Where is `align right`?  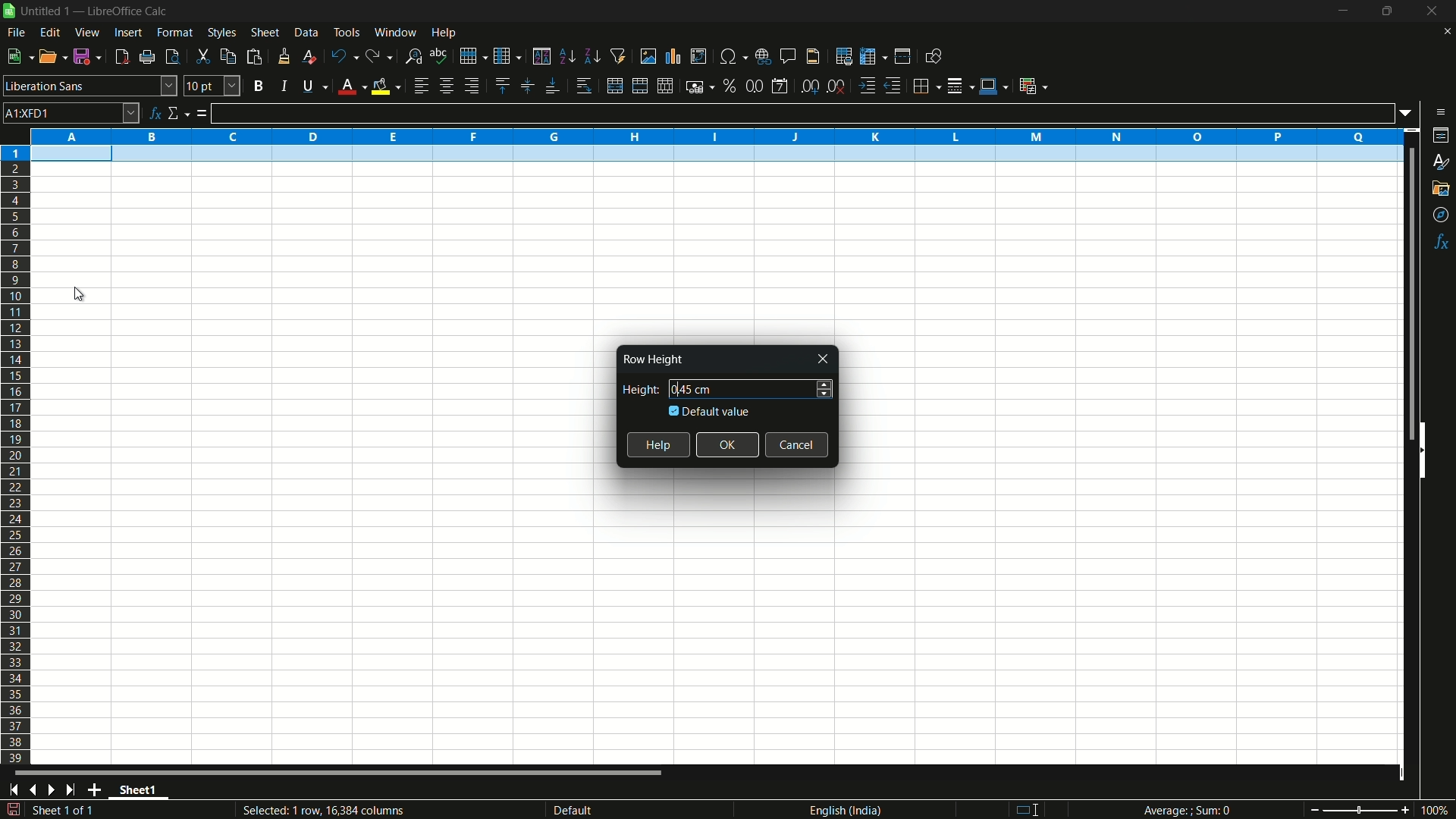 align right is located at coordinates (470, 86).